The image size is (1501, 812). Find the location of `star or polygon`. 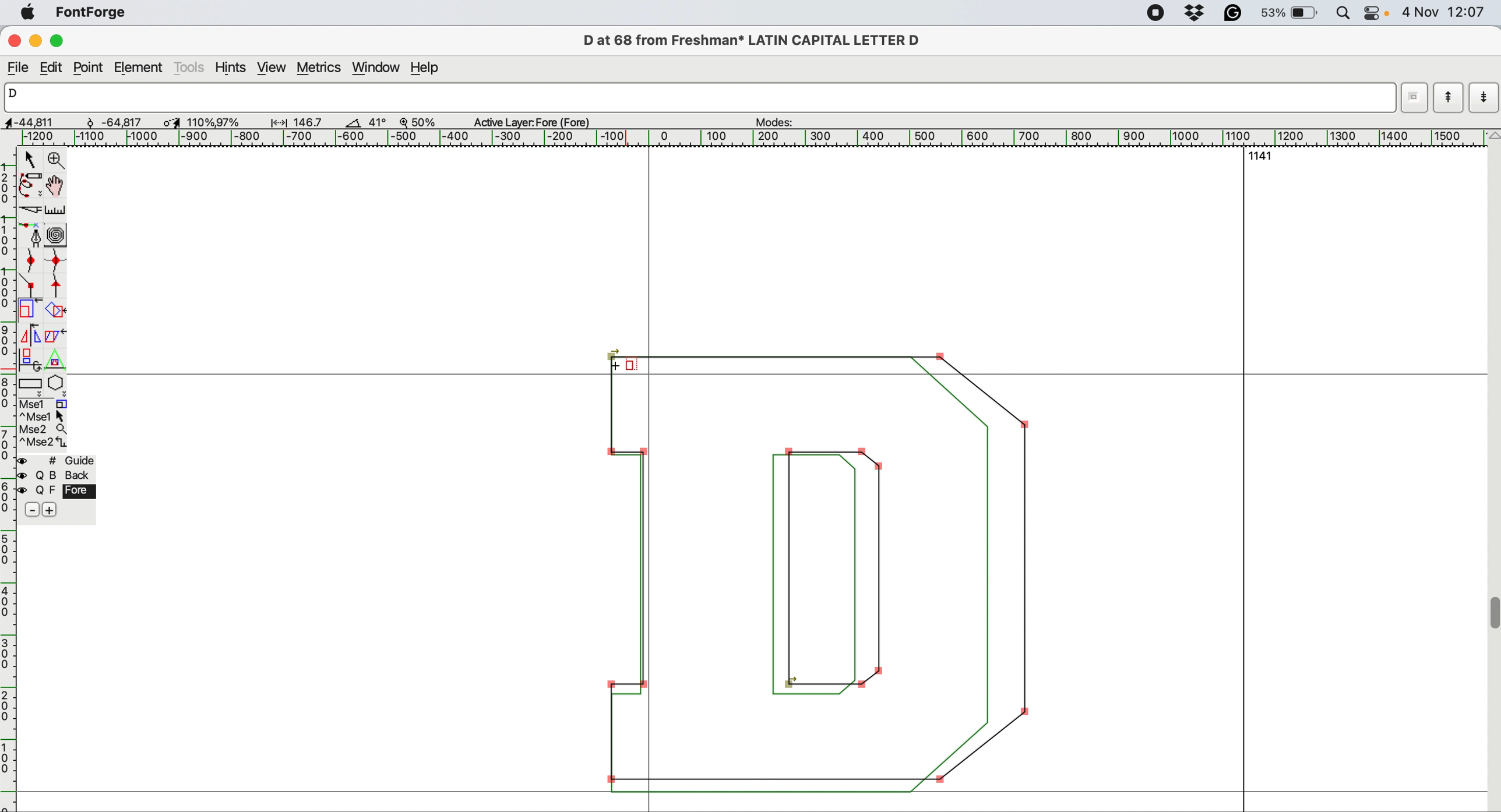

star or polygon is located at coordinates (57, 386).